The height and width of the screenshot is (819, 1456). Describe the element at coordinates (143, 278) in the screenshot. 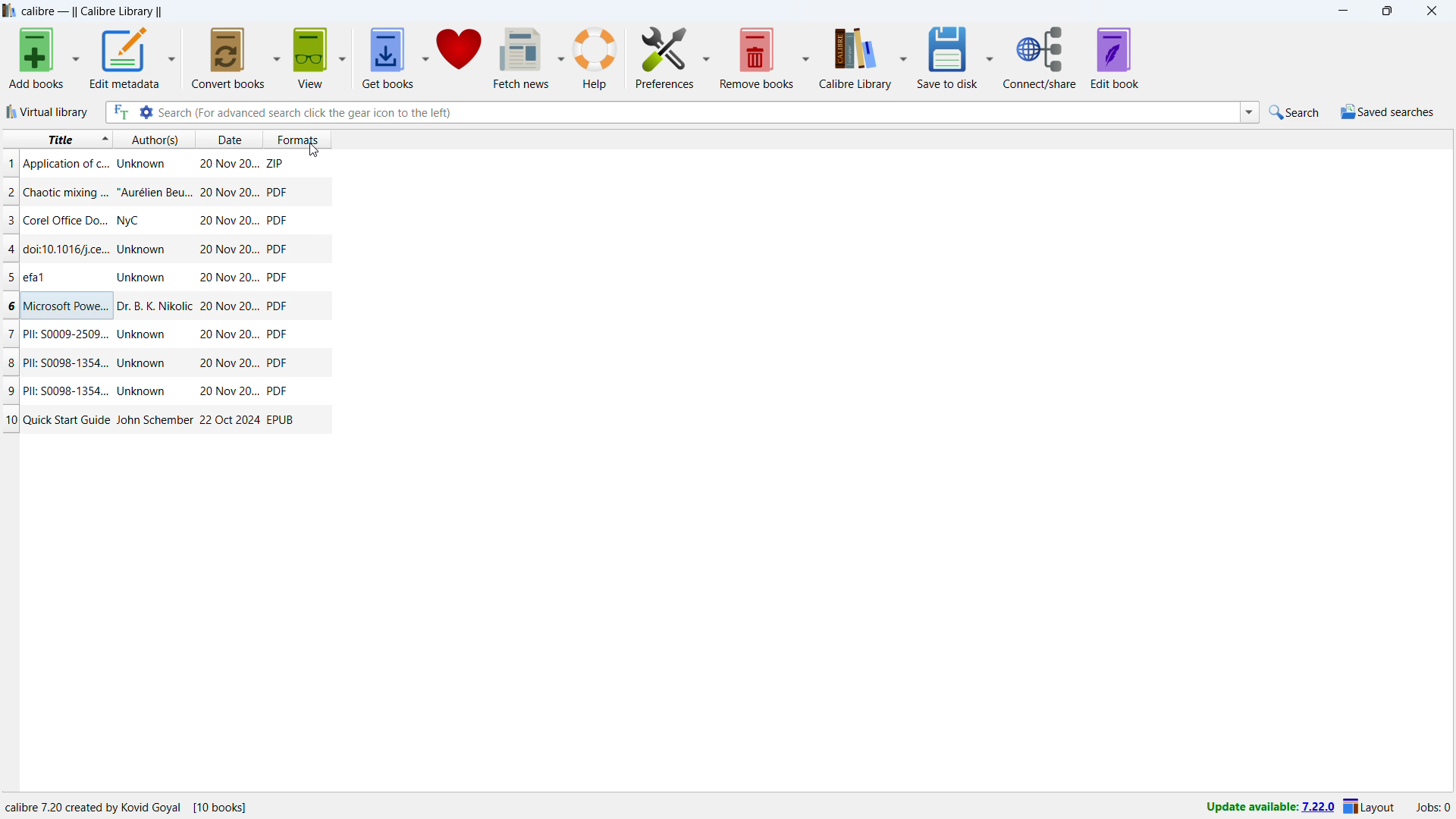

I see `author` at that location.